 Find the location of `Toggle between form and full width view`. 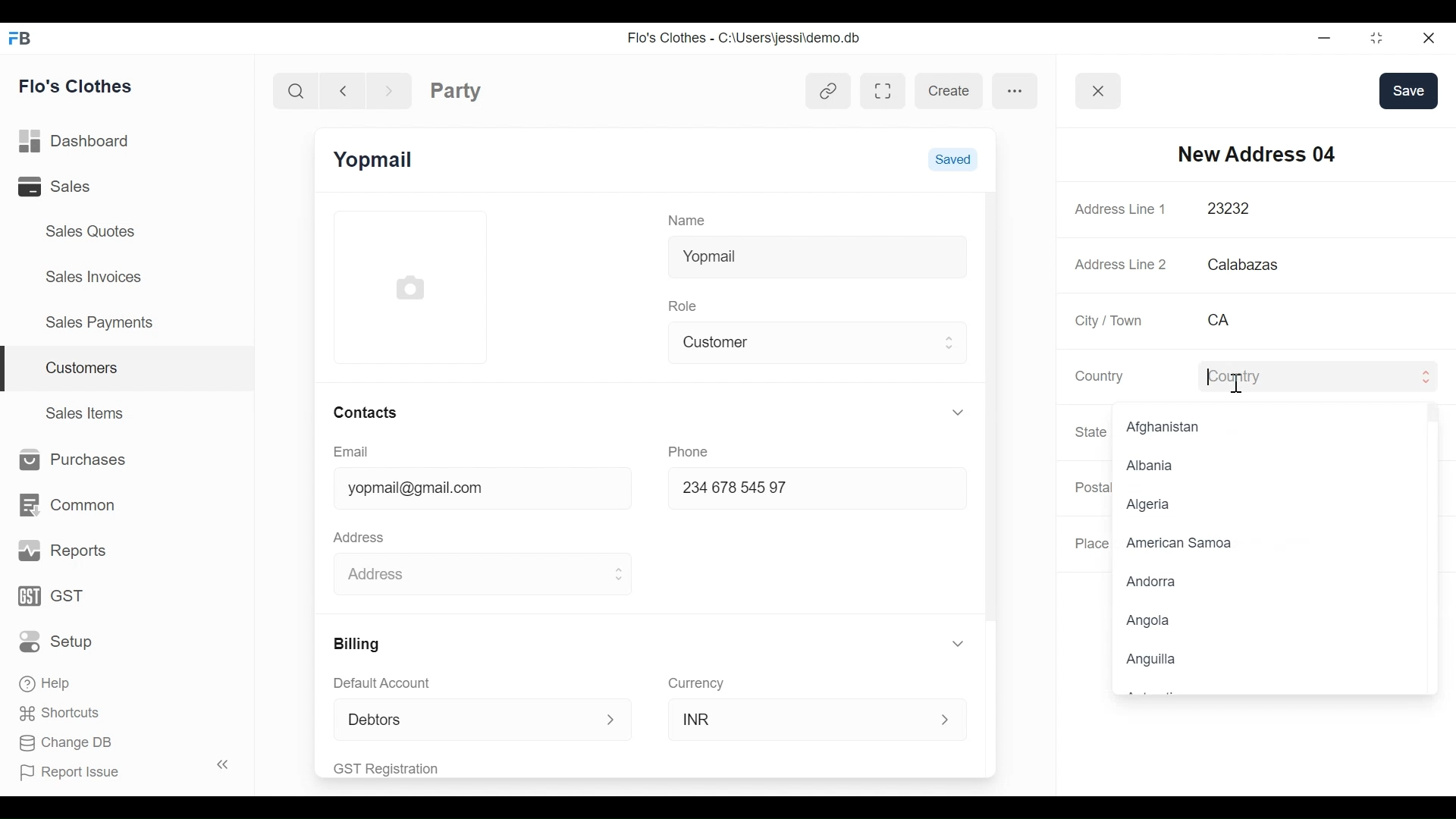

Toggle between form and full width view is located at coordinates (883, 91).